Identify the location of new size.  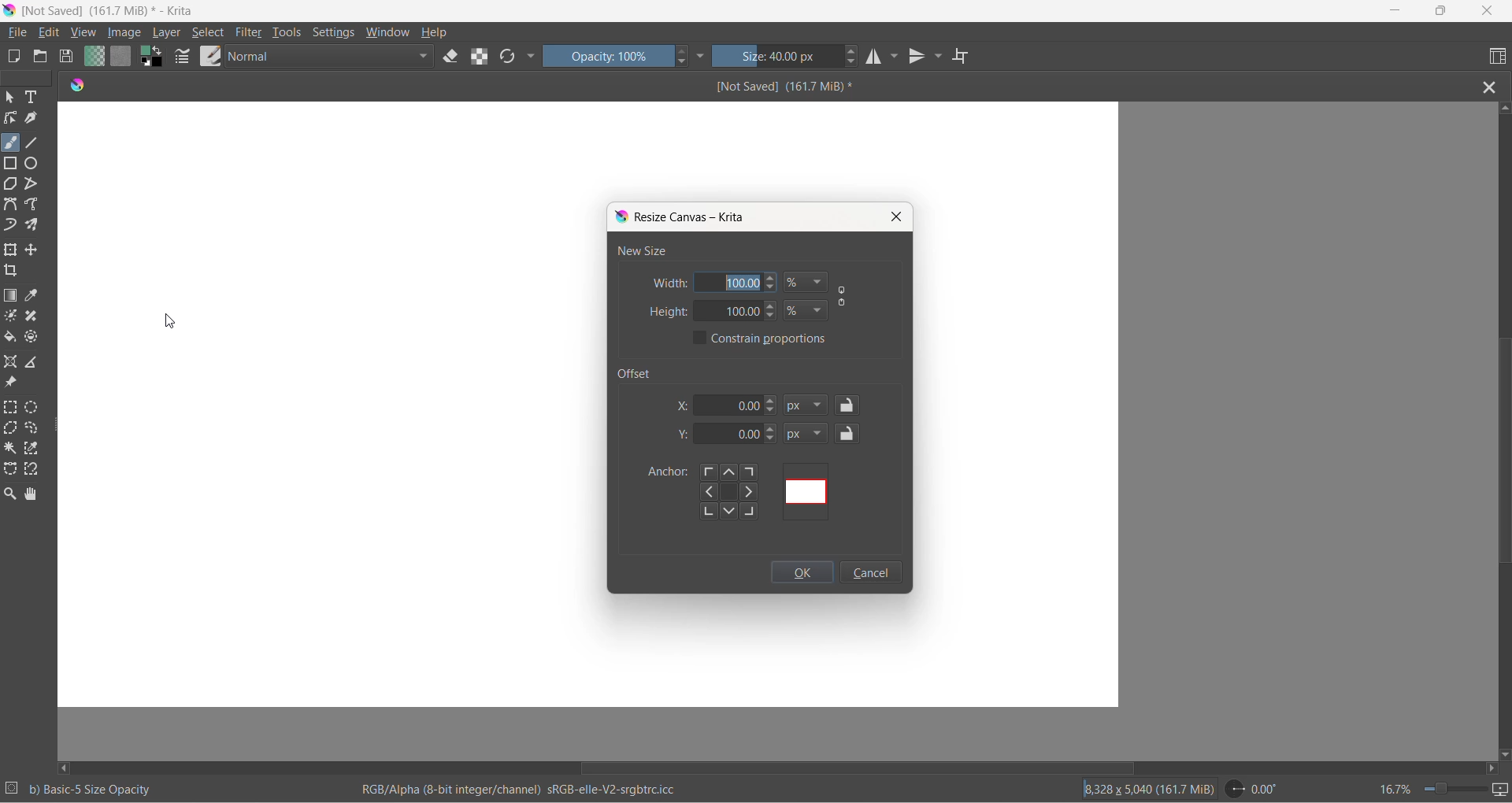
(642, 250).